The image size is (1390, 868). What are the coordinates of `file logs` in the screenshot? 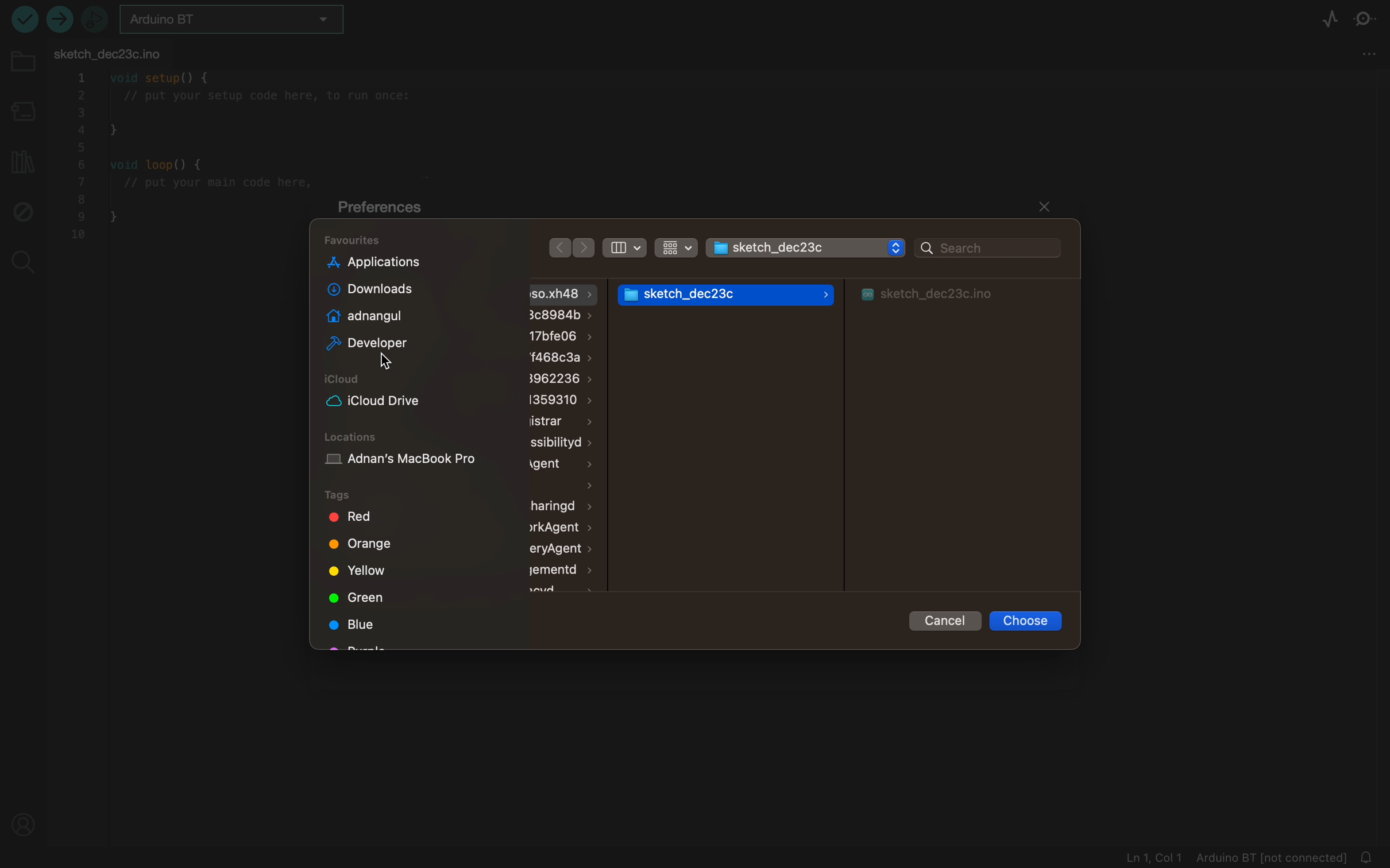 It's located at (1236, 857).